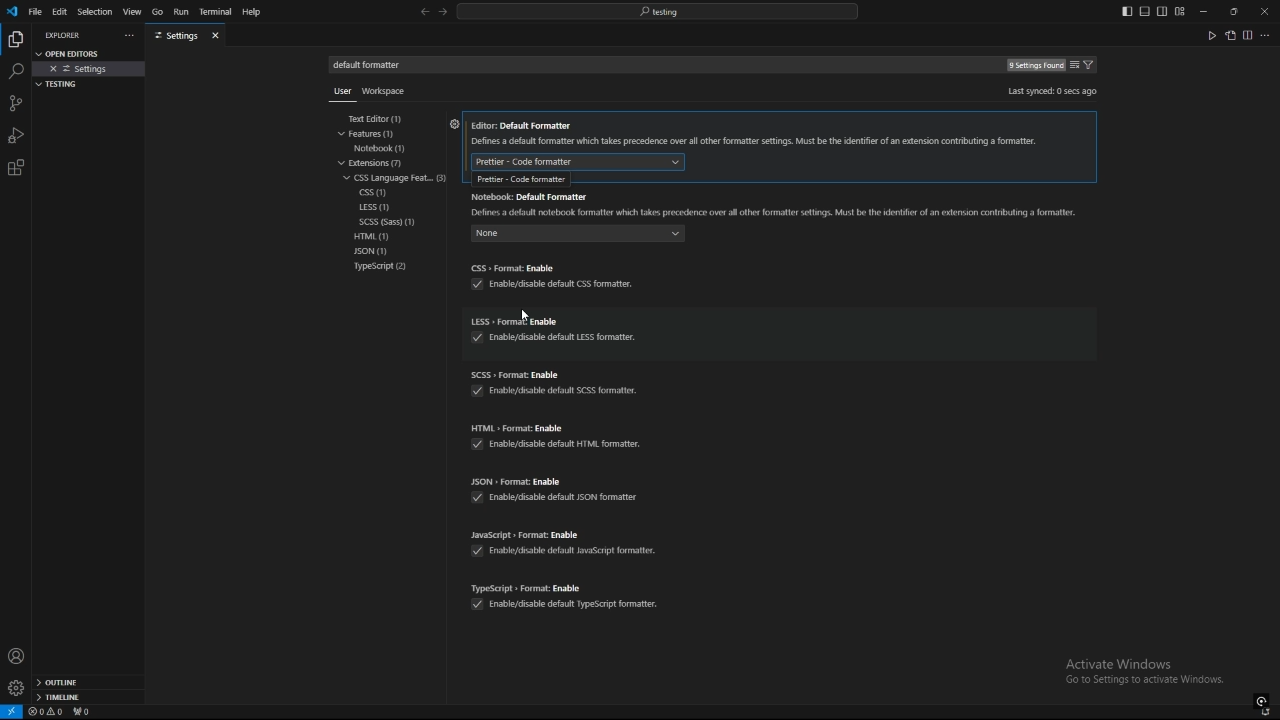  What do you see at coordinates (1034, 66) in the screenshot?
I see `settings found` at bounding box center [1034, 66].